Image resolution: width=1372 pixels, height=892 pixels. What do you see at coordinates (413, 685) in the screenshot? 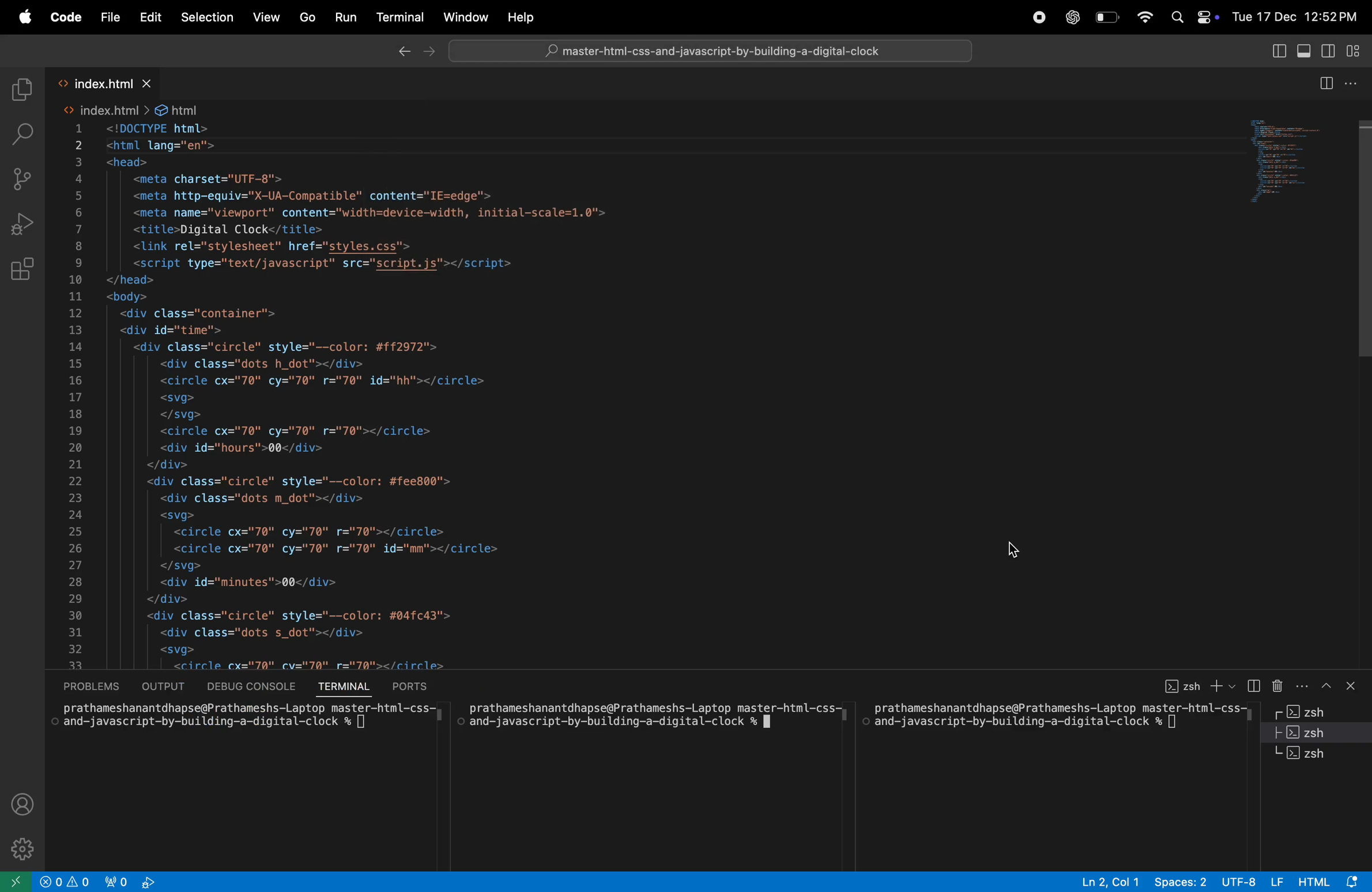
I see `ports` at bounding box center [413, 685].